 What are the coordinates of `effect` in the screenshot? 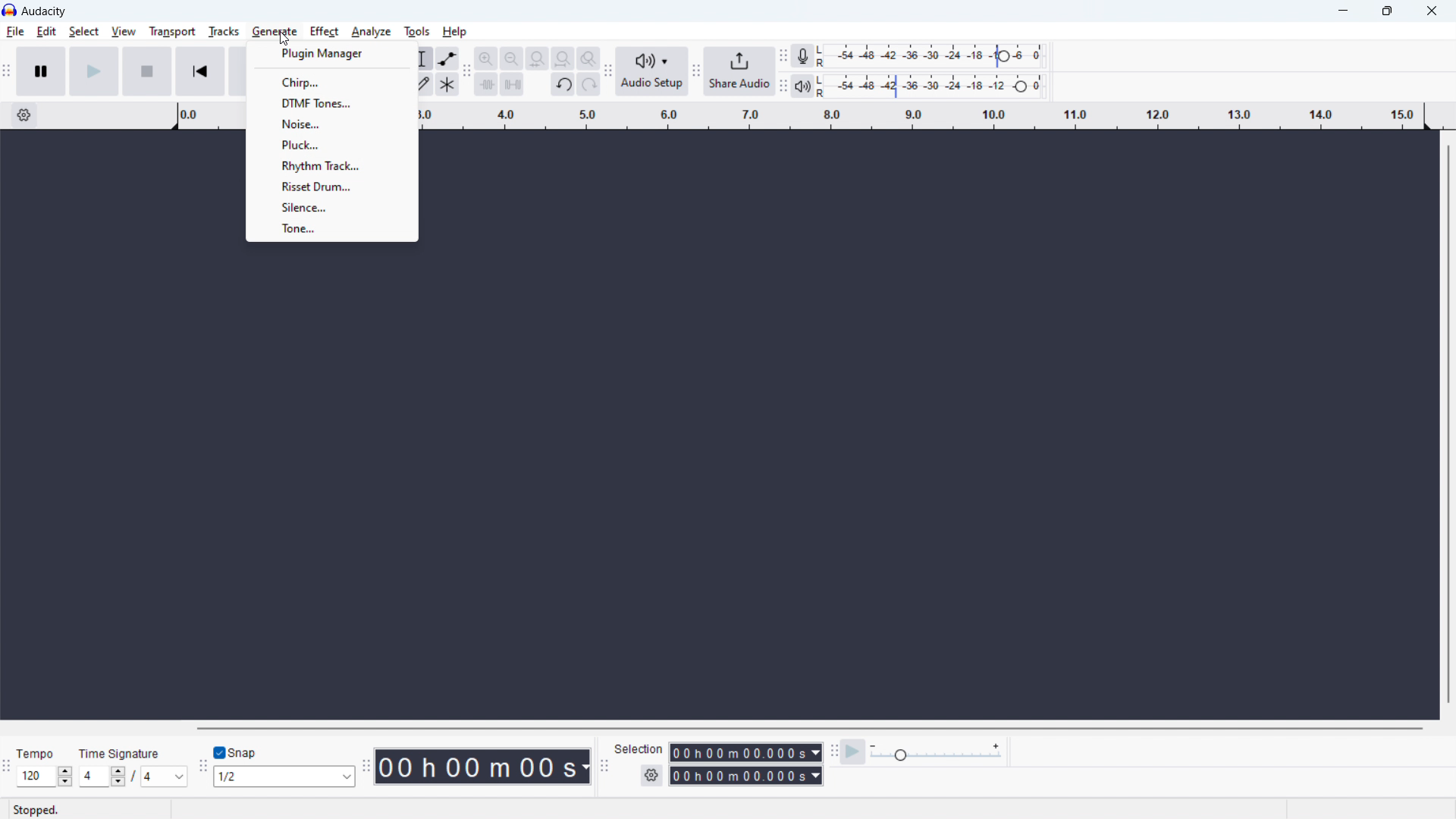 It's located at (325, 31).